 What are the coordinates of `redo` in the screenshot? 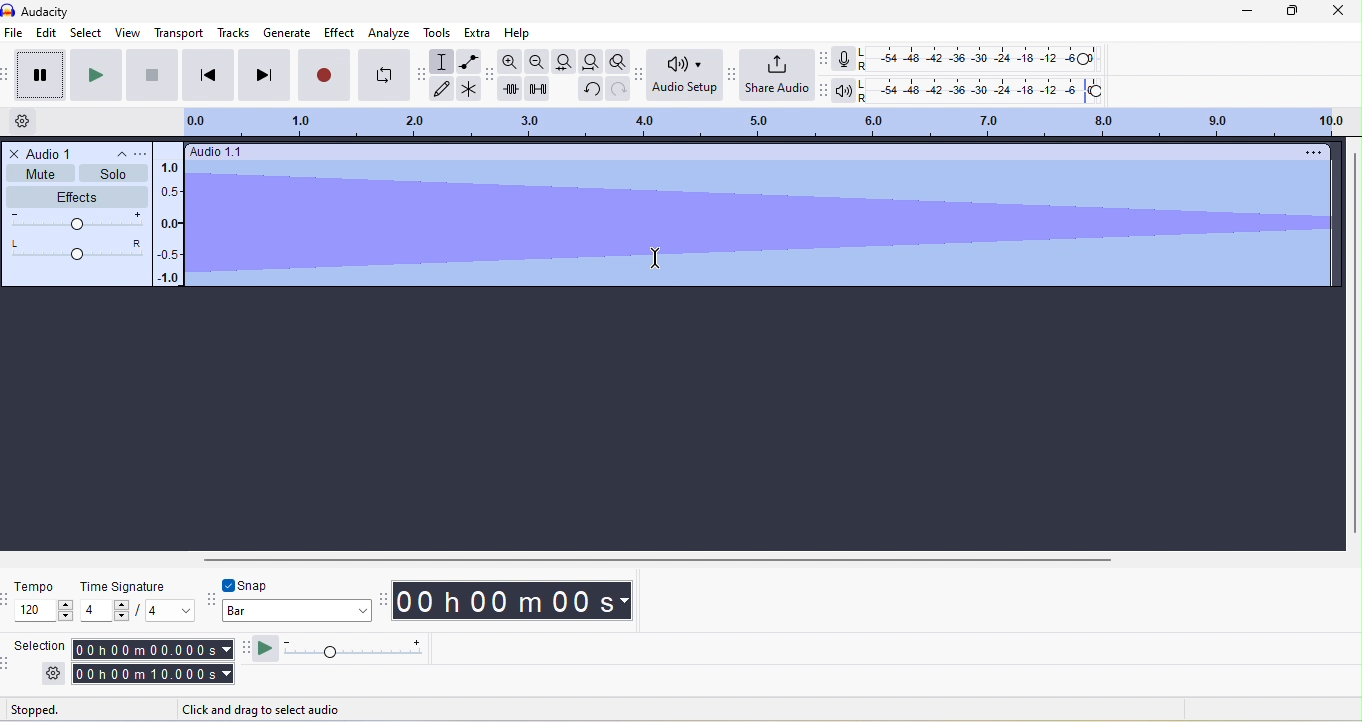 It's located at (619, 89).